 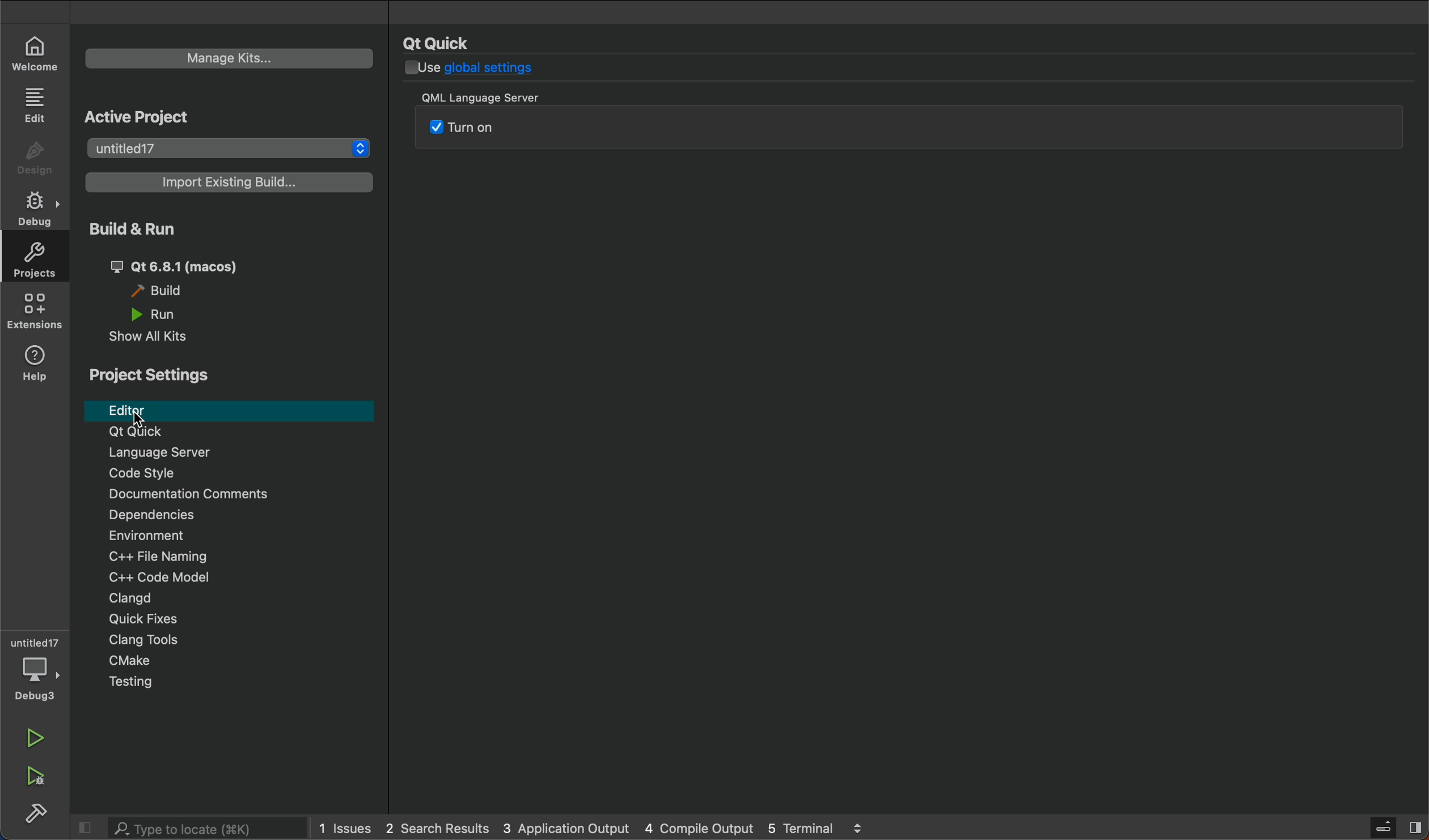 I want to click on sidebar toggle, so click(x=1396, y=827).